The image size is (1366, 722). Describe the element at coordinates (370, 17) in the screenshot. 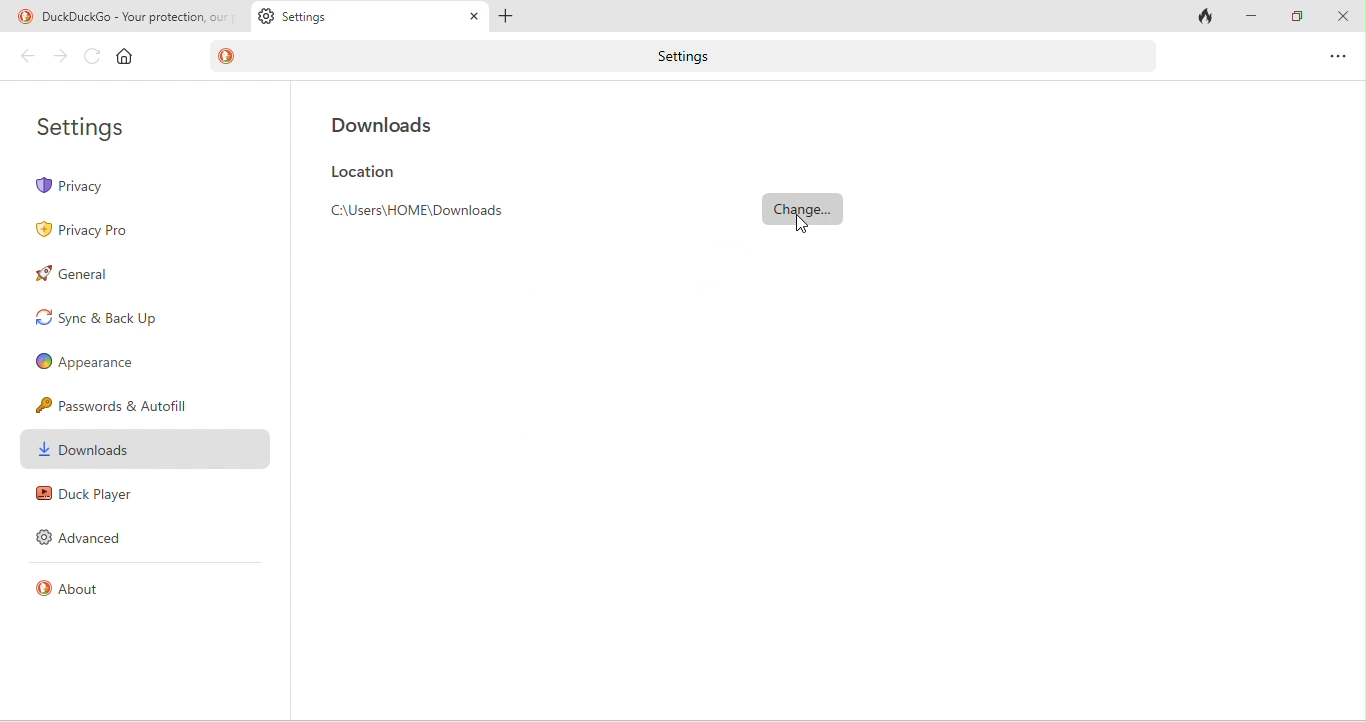

I see `Settings tab` at that location.